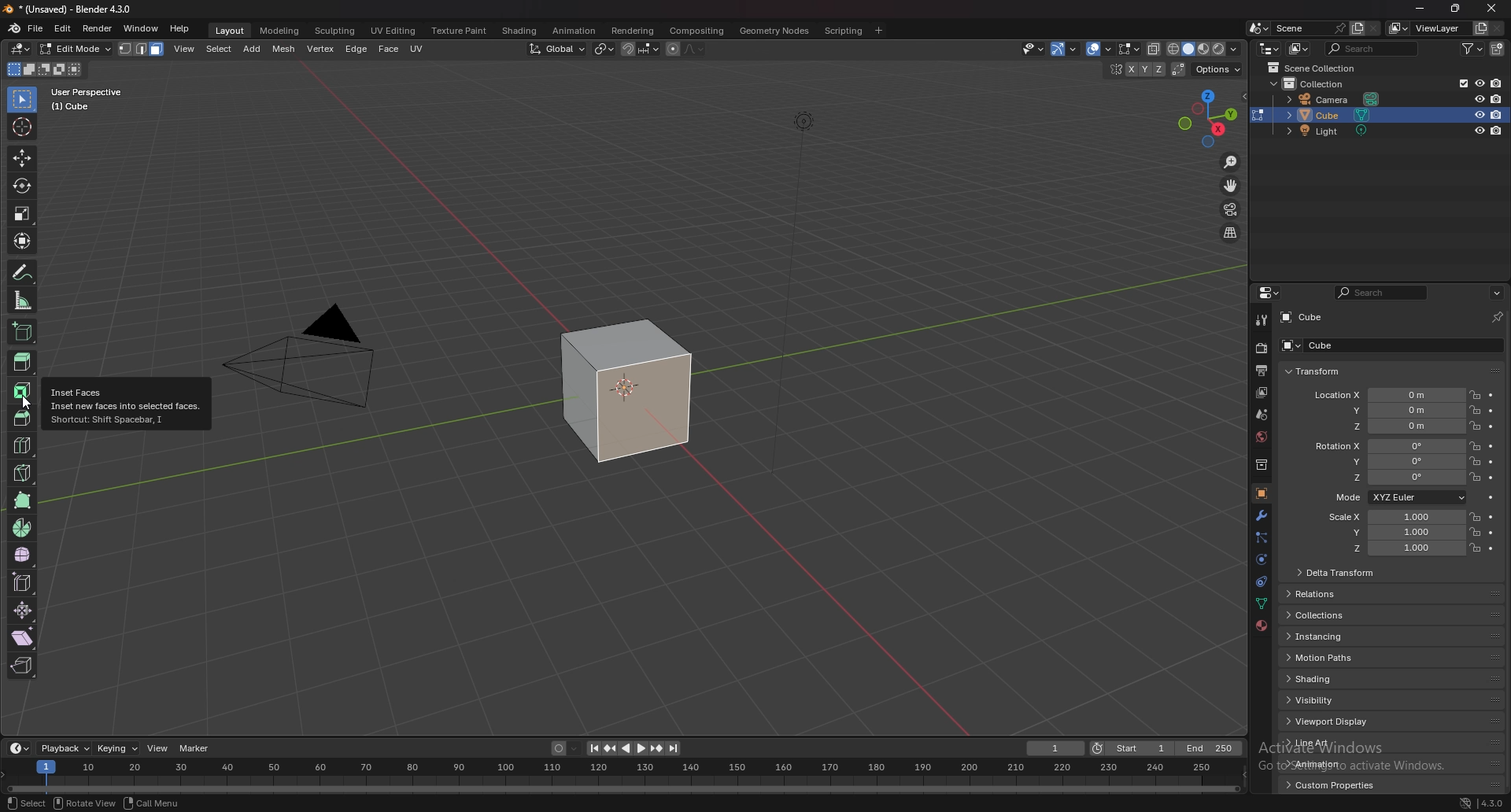 The width and height of the screenshot is (1511, 812). What do you see at coordinates (1329, 743) in the screenshot?
I see `line art` at bounding box center [1329, 743].